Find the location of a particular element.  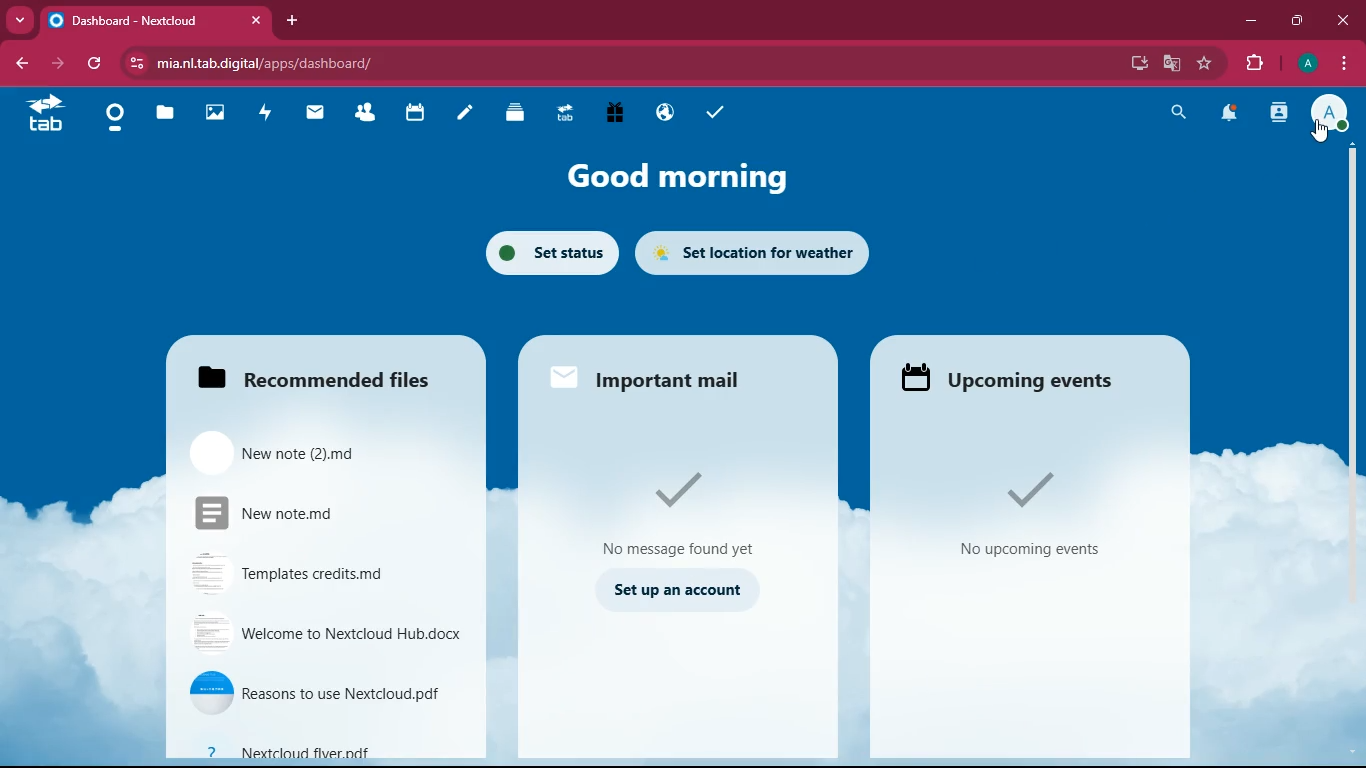

extensions is located at coordinates (1256, 61).